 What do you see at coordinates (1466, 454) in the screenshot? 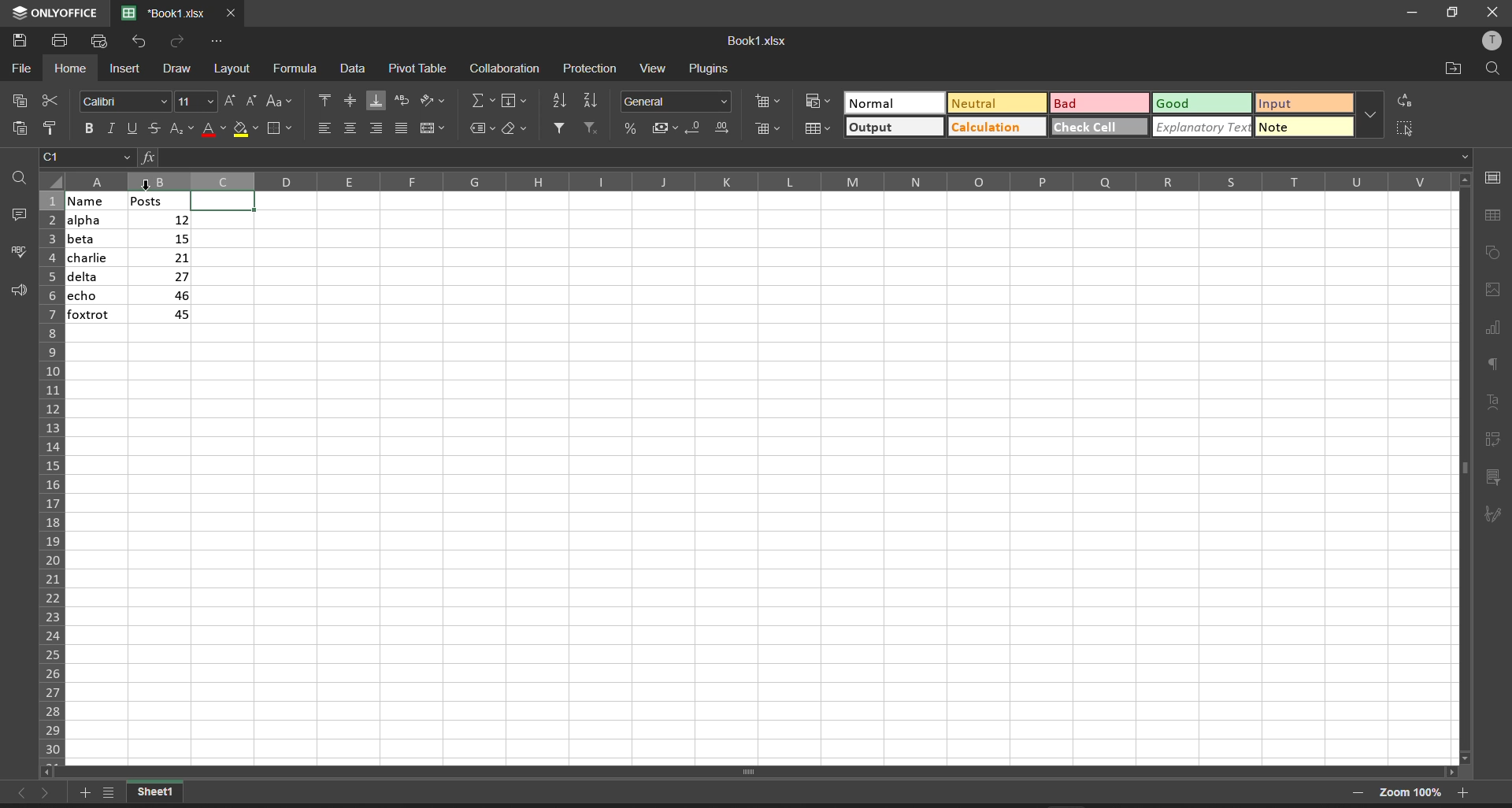
I see `vertical scroll bar` at bounding box center [1466, 454].